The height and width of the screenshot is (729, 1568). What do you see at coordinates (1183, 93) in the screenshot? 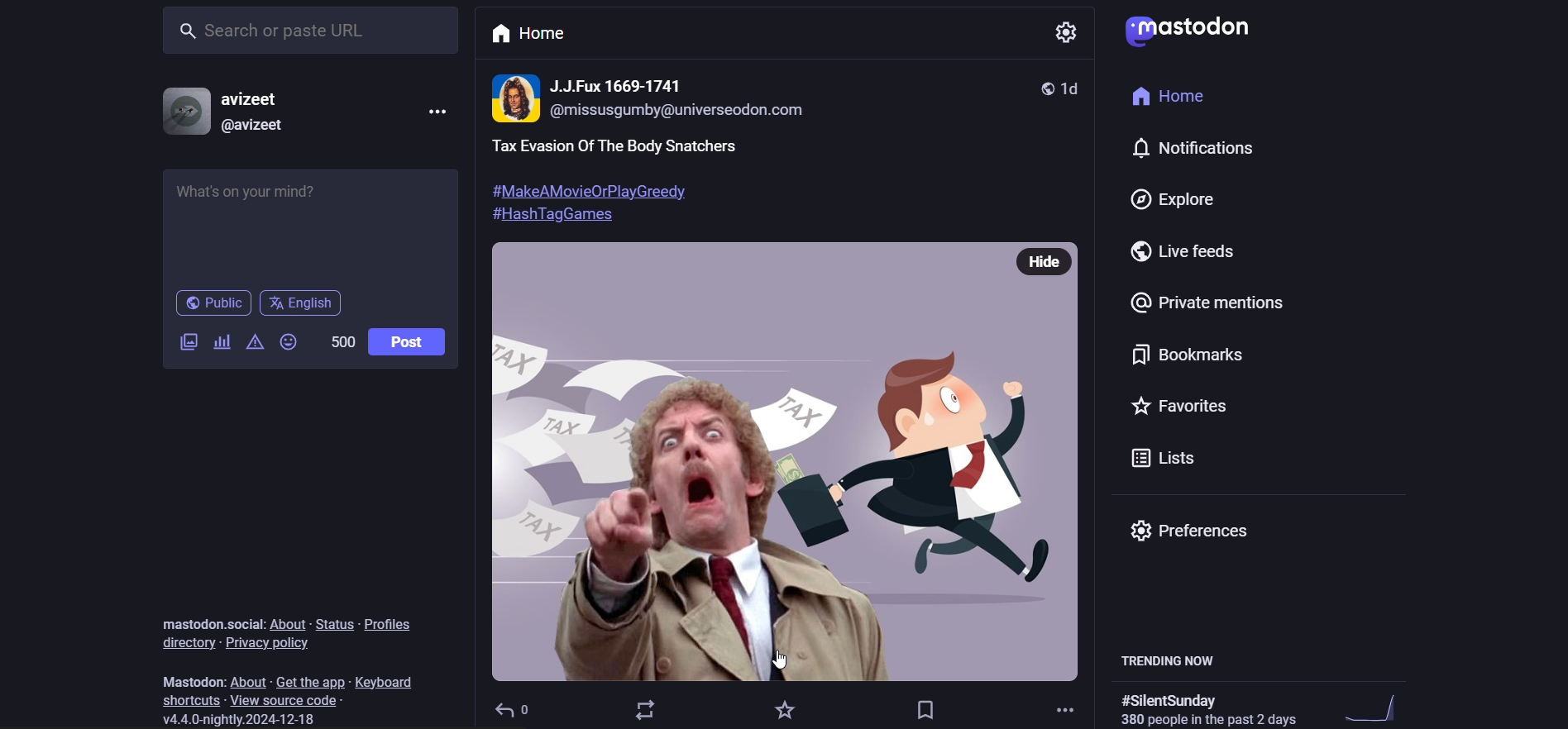
I see `home` at bounding box center [1183, 93].